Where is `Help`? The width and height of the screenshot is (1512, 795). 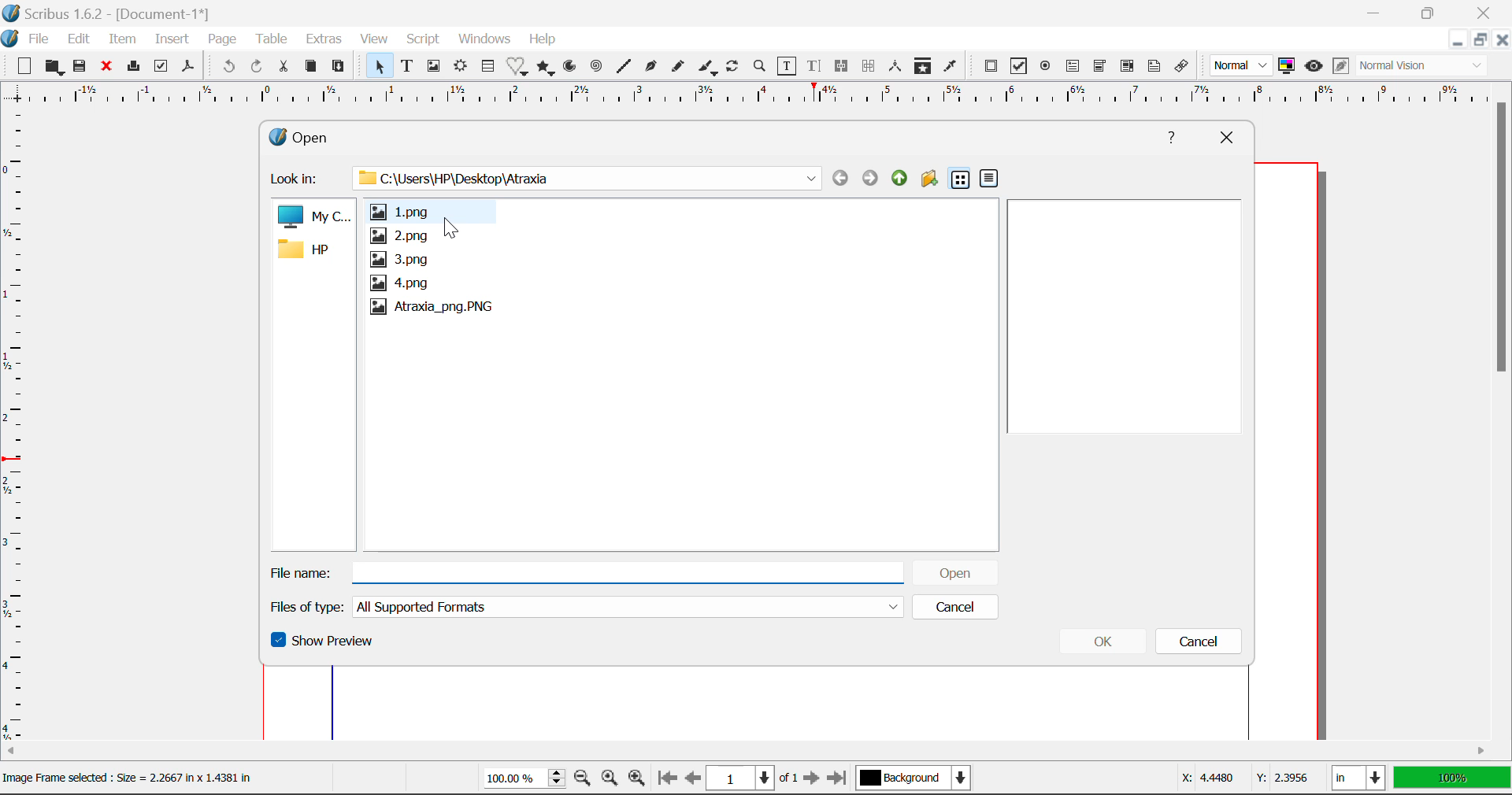 Help is located at coordinates (543, 39).